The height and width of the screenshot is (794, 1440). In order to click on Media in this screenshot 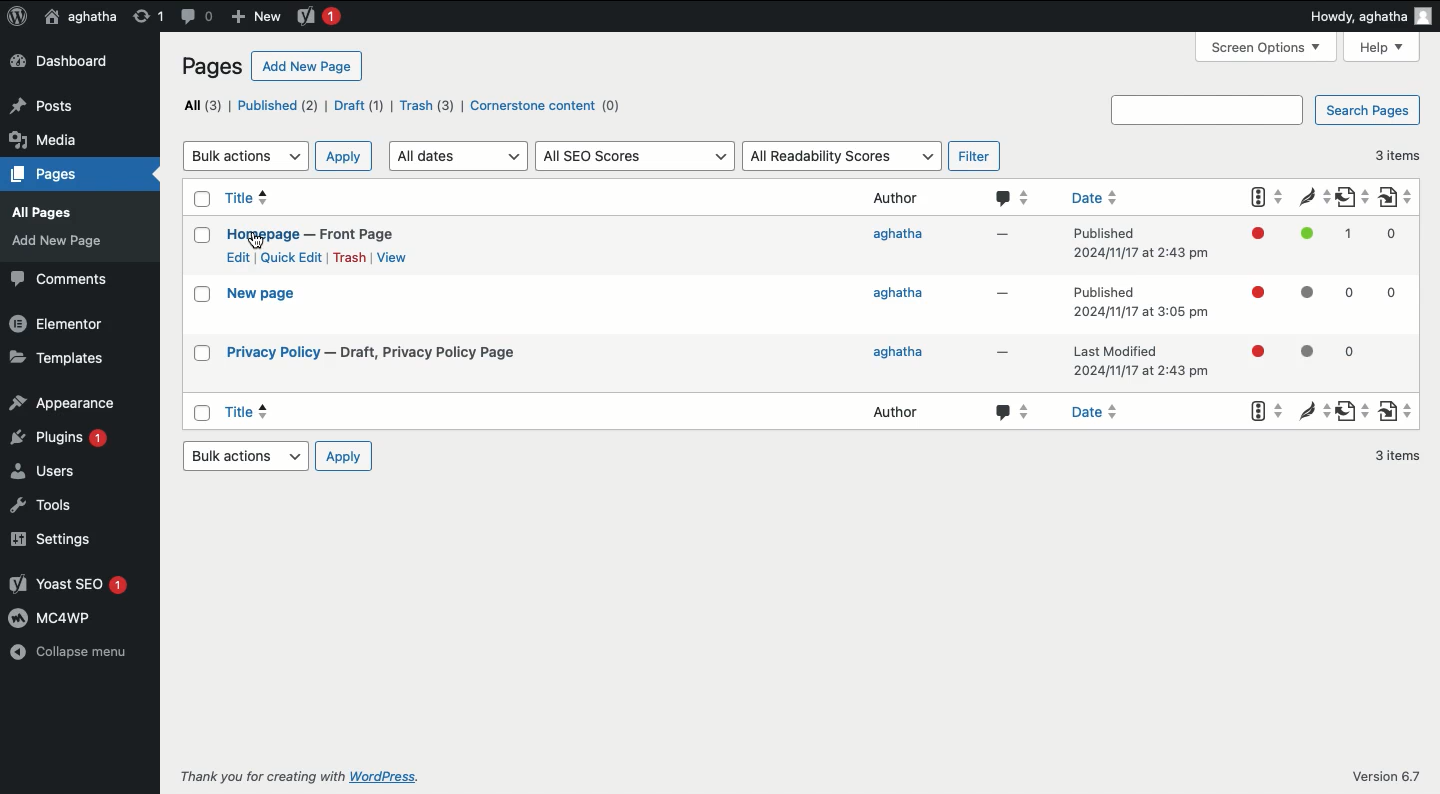, I will do `click(46, 211)`.